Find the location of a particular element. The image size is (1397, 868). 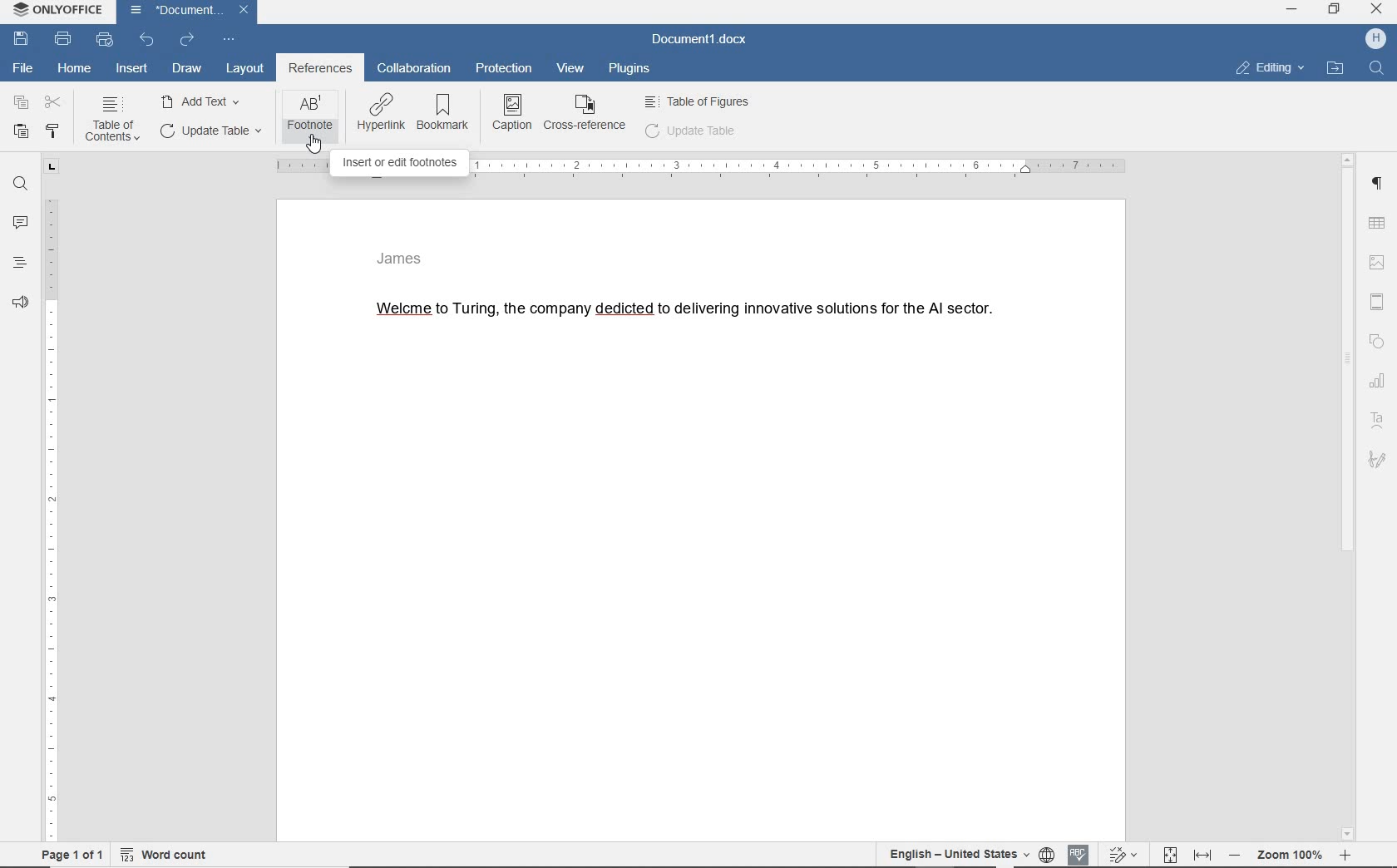

MINIMIZE is located at coordinates (1291, 10).